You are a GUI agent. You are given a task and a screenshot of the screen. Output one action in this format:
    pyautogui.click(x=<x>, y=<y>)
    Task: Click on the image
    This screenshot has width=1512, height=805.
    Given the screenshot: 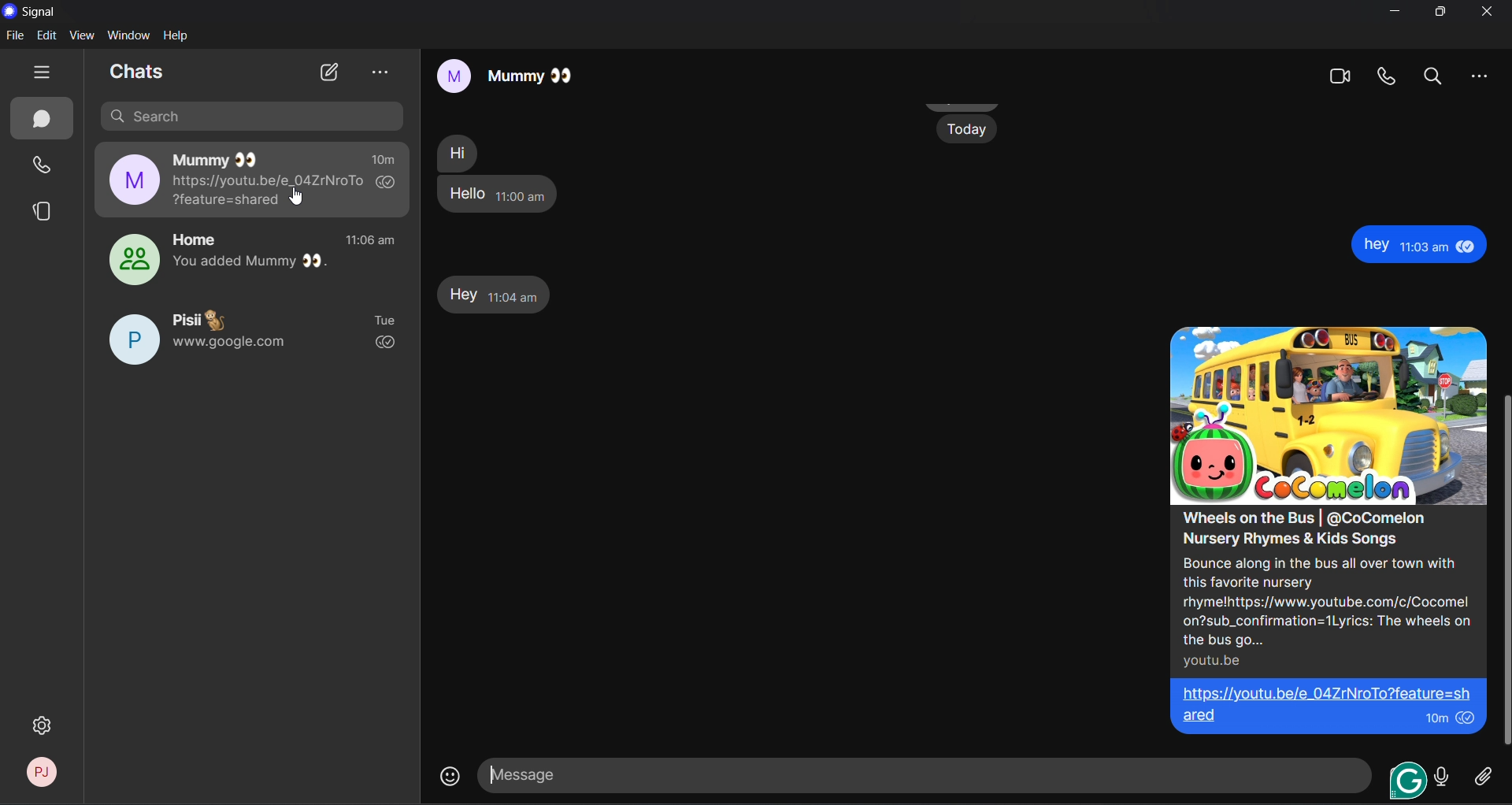 What is the action you would take?
    pyautogui.click(x=1324, y=417)
    